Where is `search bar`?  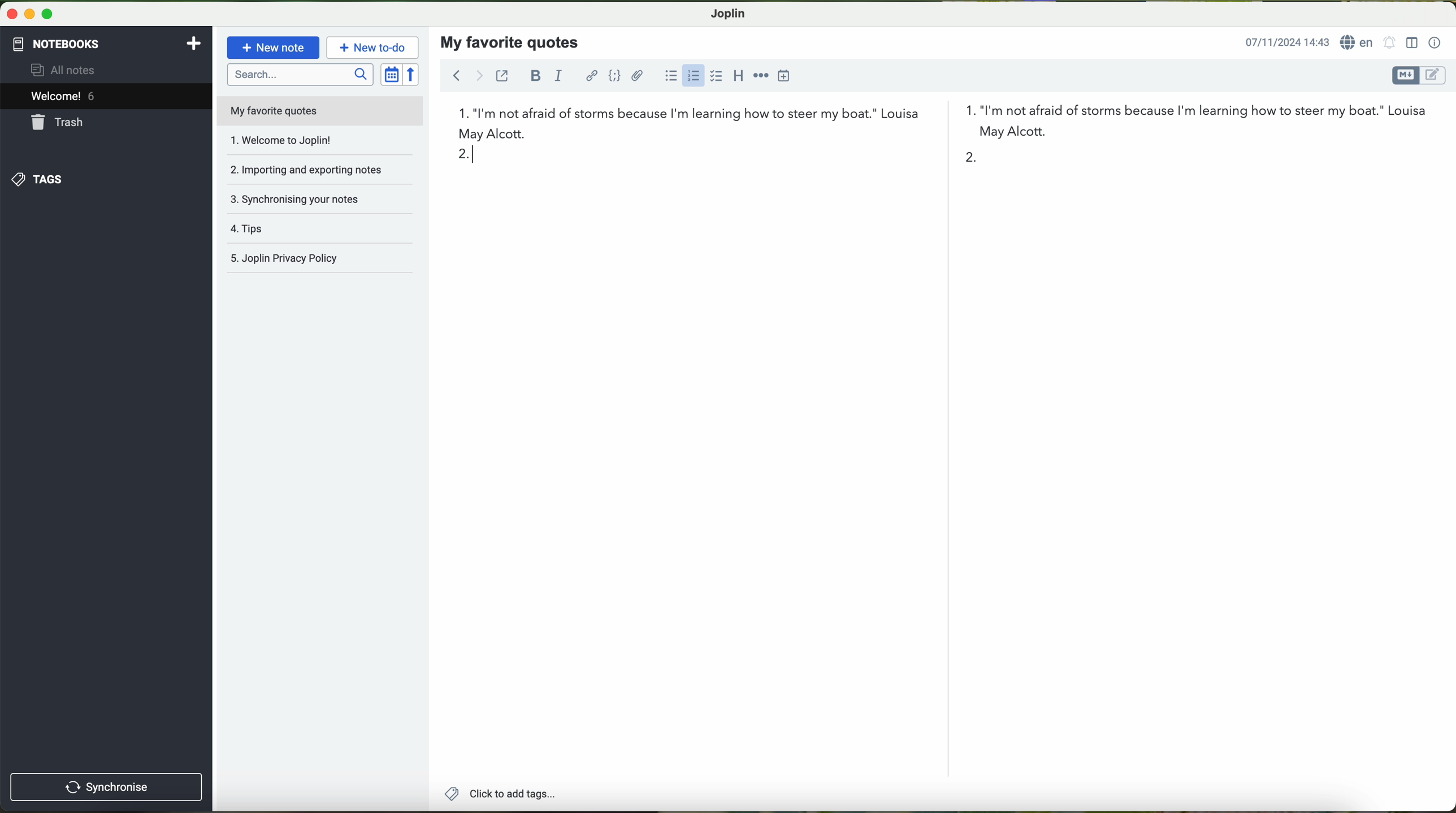 search bar is located at coordinates (298, 73).